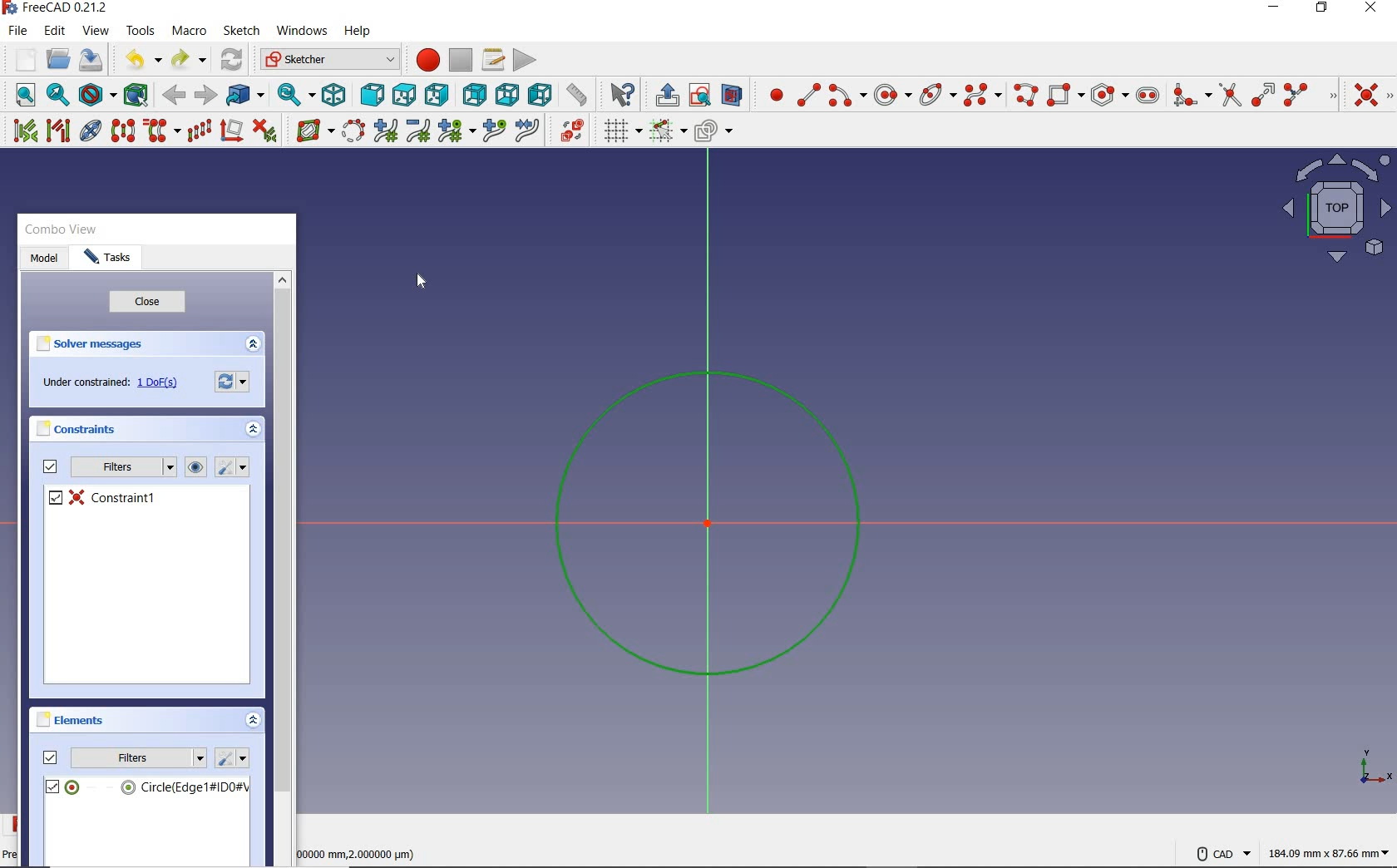 The width and height of the screenshot is (1397, 868). Describe the element at coordinates (1148, 95) in the screenshot. I see `create slot` at that location.